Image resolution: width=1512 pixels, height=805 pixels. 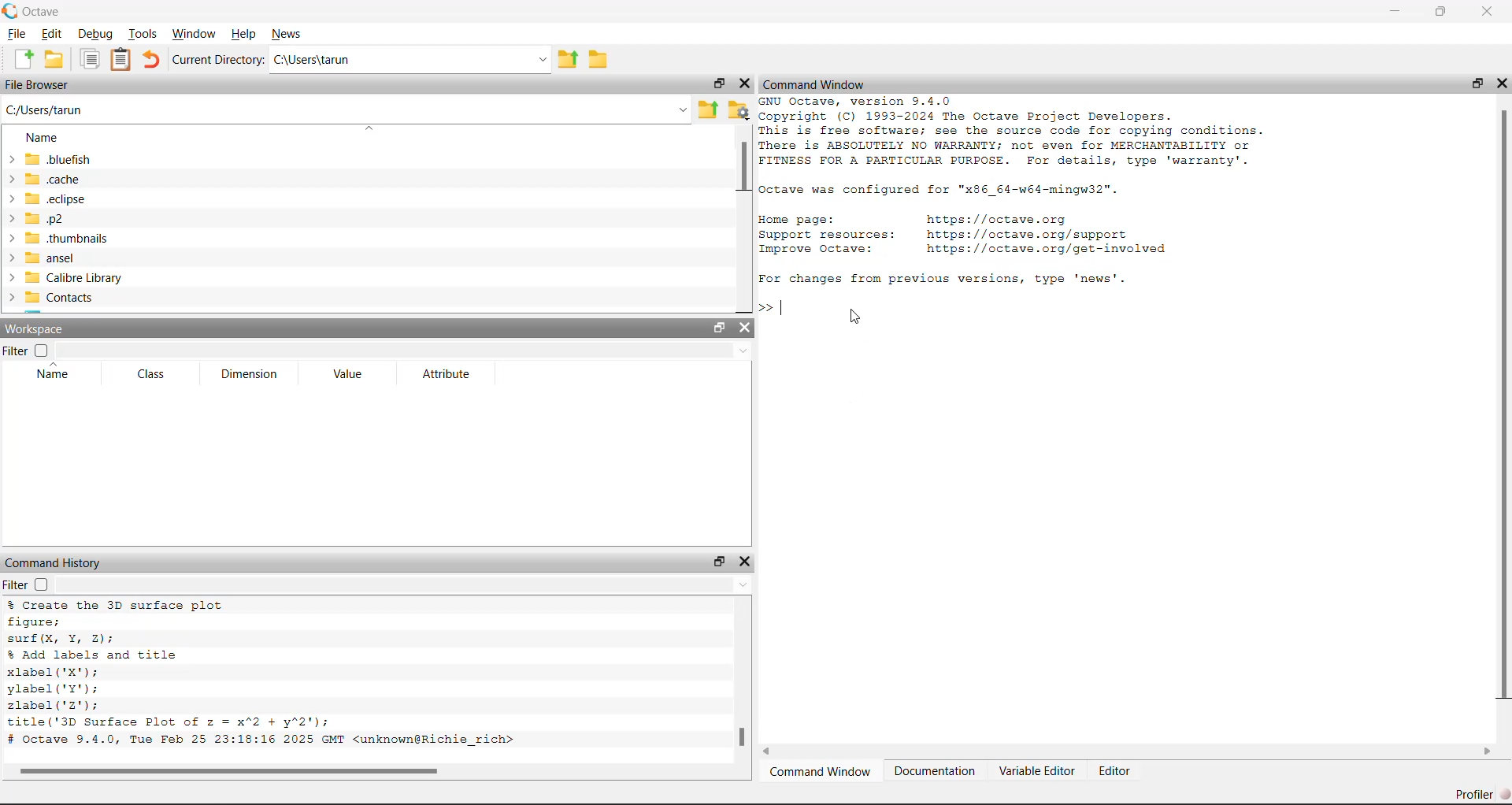 What do you see at coordinates (404, 349) in the screenshot?
I see `Dropdown` at bounding box center [404, 349].